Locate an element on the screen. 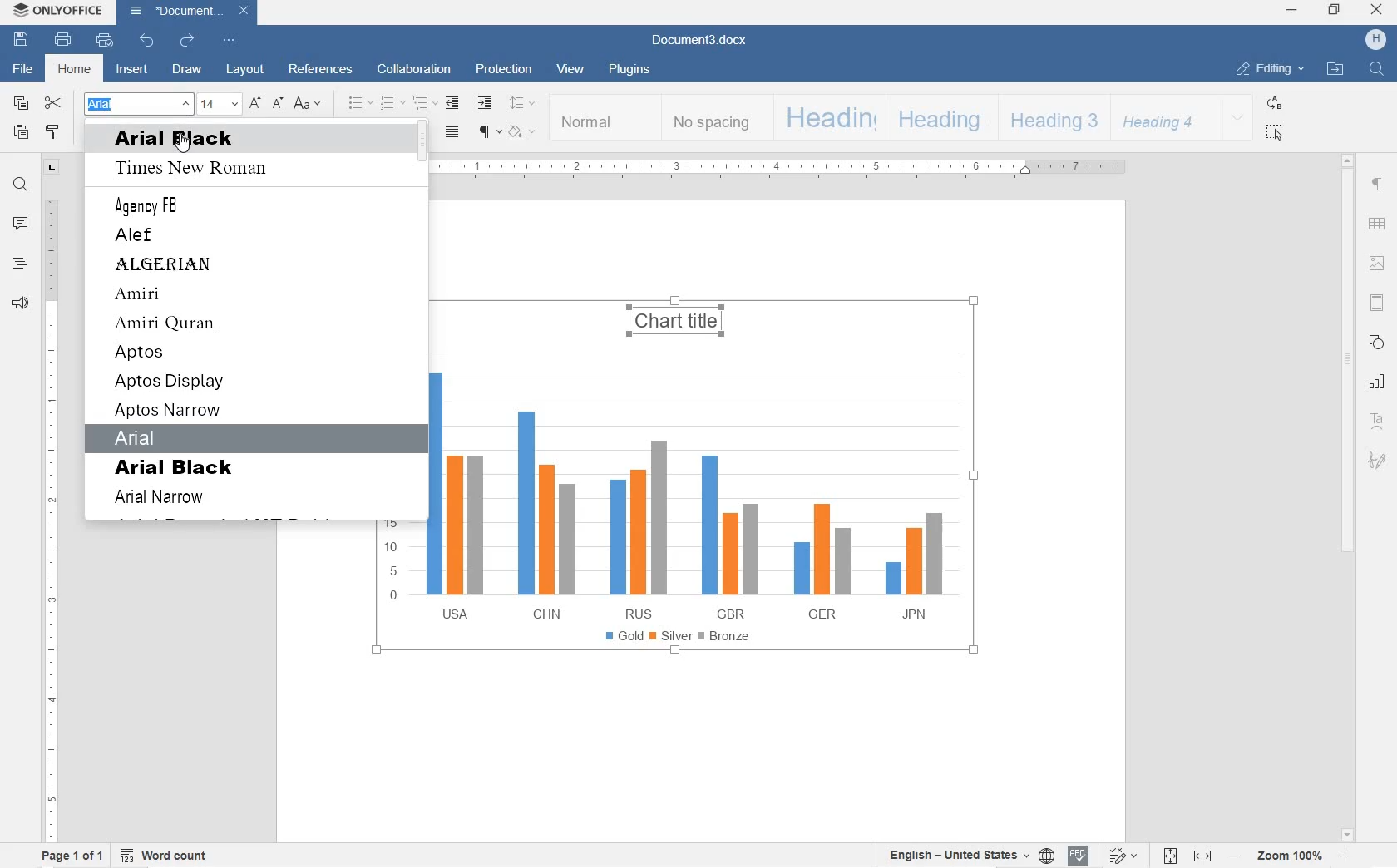 This screenshot has width=1397, height=868. FIND is located at coordinates (21, 185).